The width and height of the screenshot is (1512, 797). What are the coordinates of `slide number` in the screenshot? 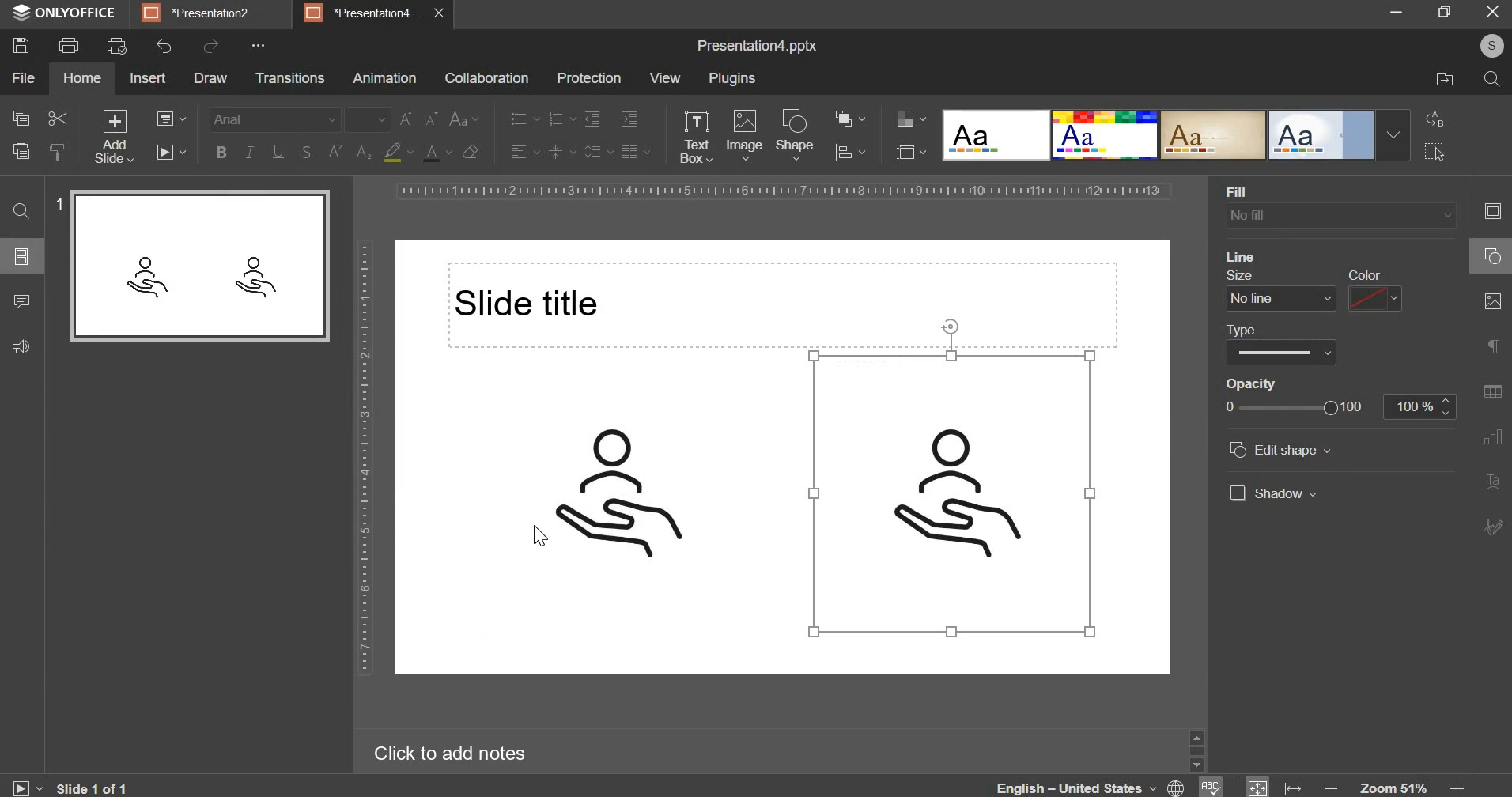 It's located at (56, 202).